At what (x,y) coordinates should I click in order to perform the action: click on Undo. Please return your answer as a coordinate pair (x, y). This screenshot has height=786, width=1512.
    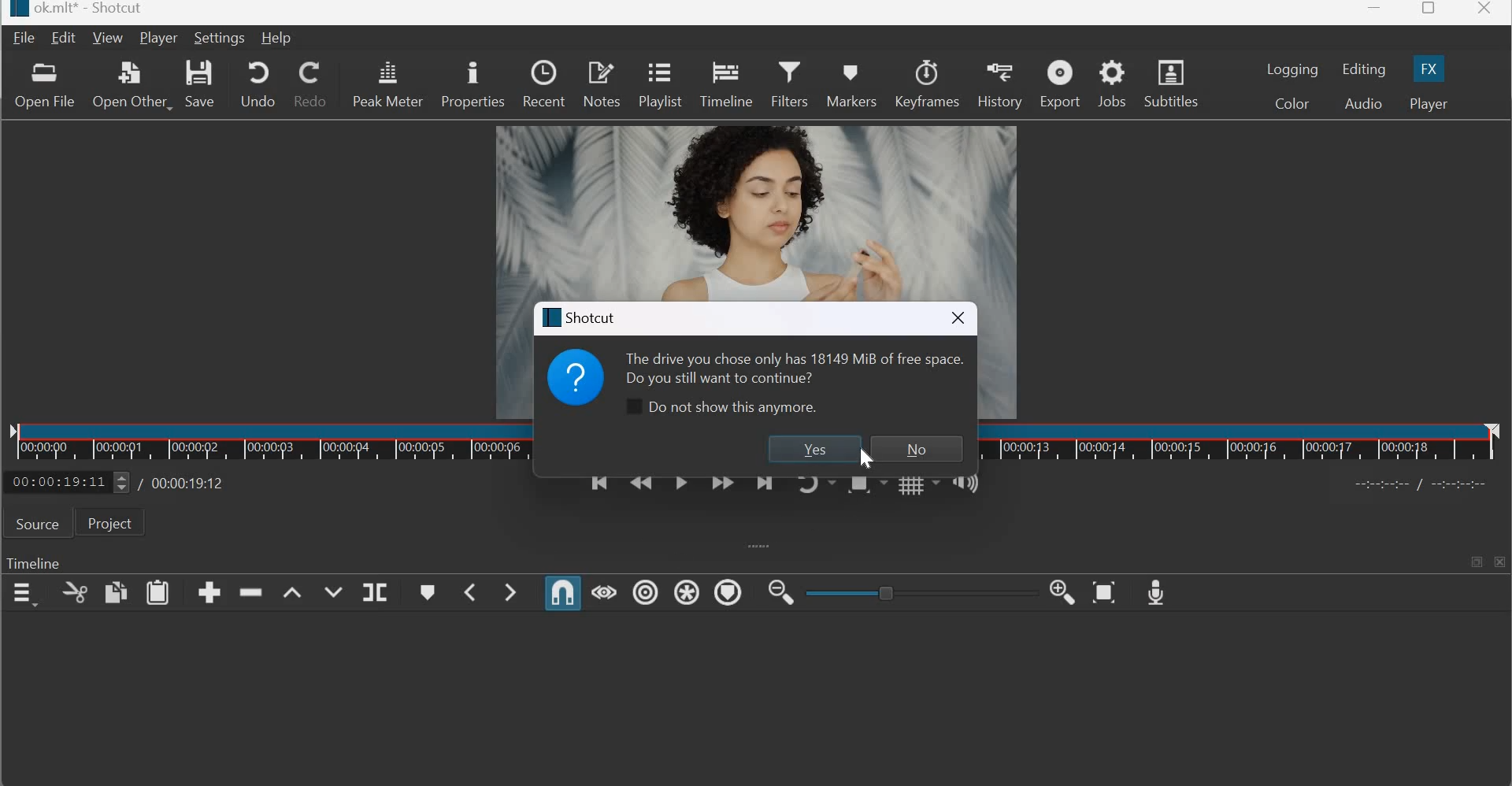
    Looking at the image, I should click on (256, 83).